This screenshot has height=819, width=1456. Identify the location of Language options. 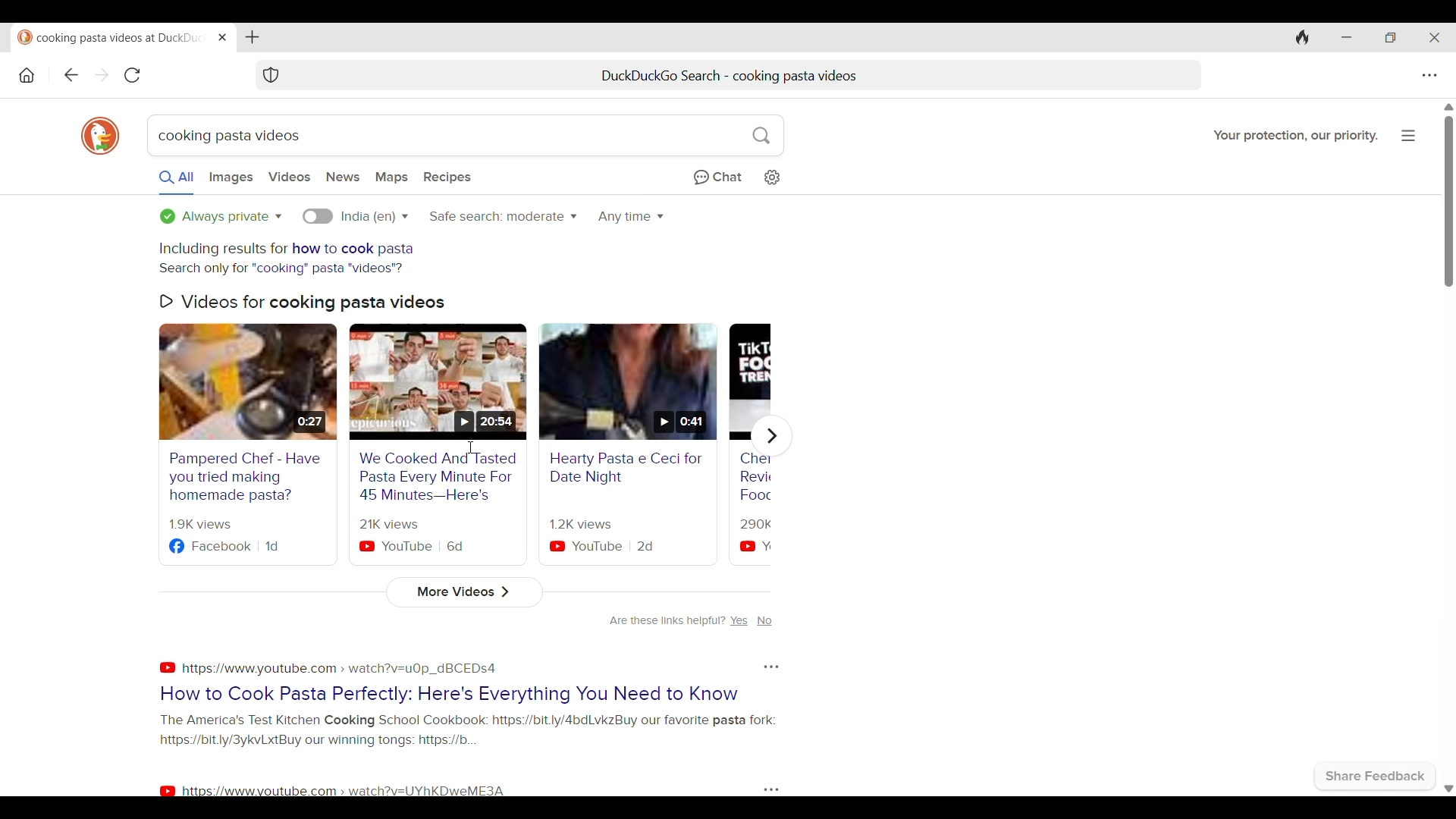
(375, 217).